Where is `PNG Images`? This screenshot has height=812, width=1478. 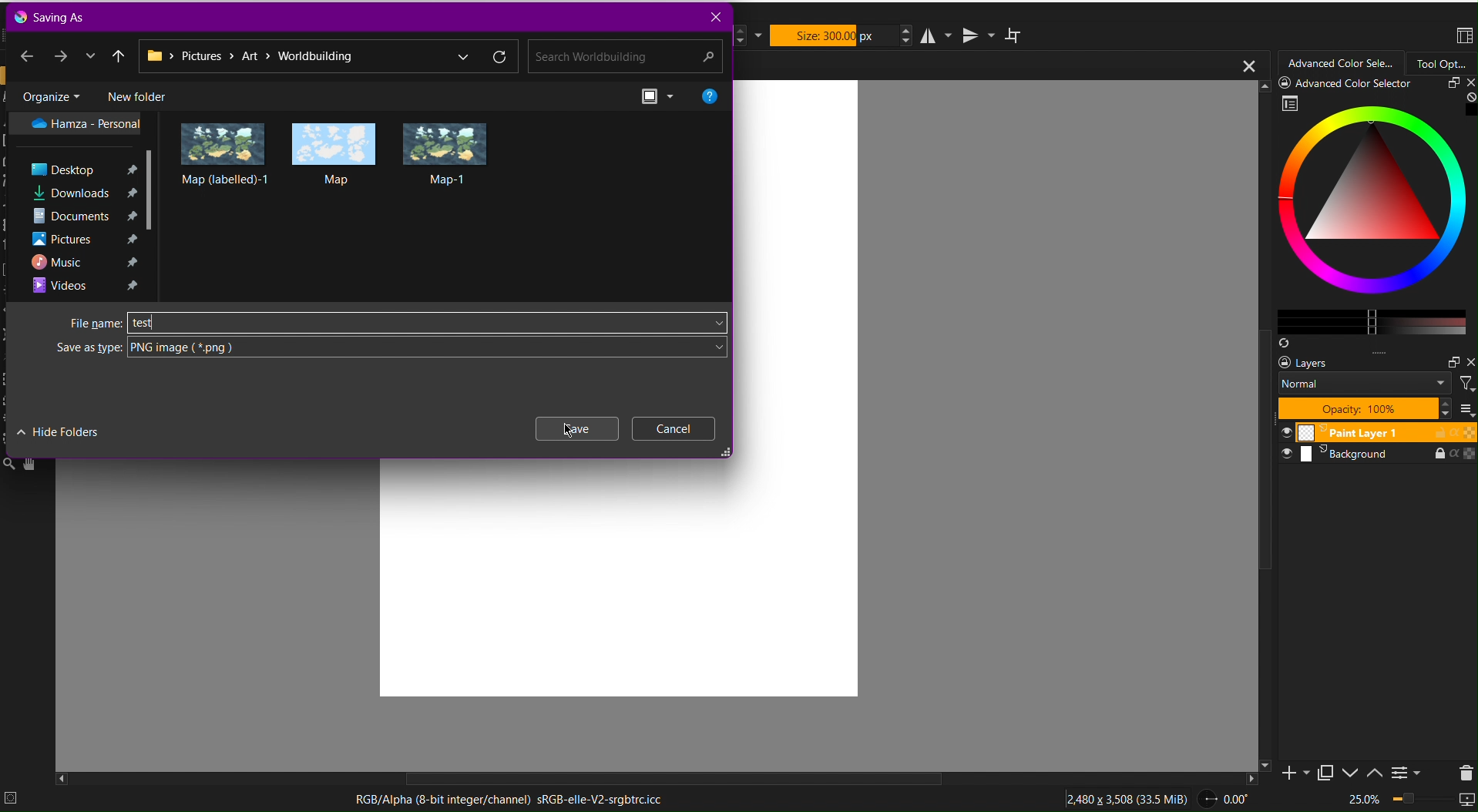 PNG Images is located at coordinates (335, 153).